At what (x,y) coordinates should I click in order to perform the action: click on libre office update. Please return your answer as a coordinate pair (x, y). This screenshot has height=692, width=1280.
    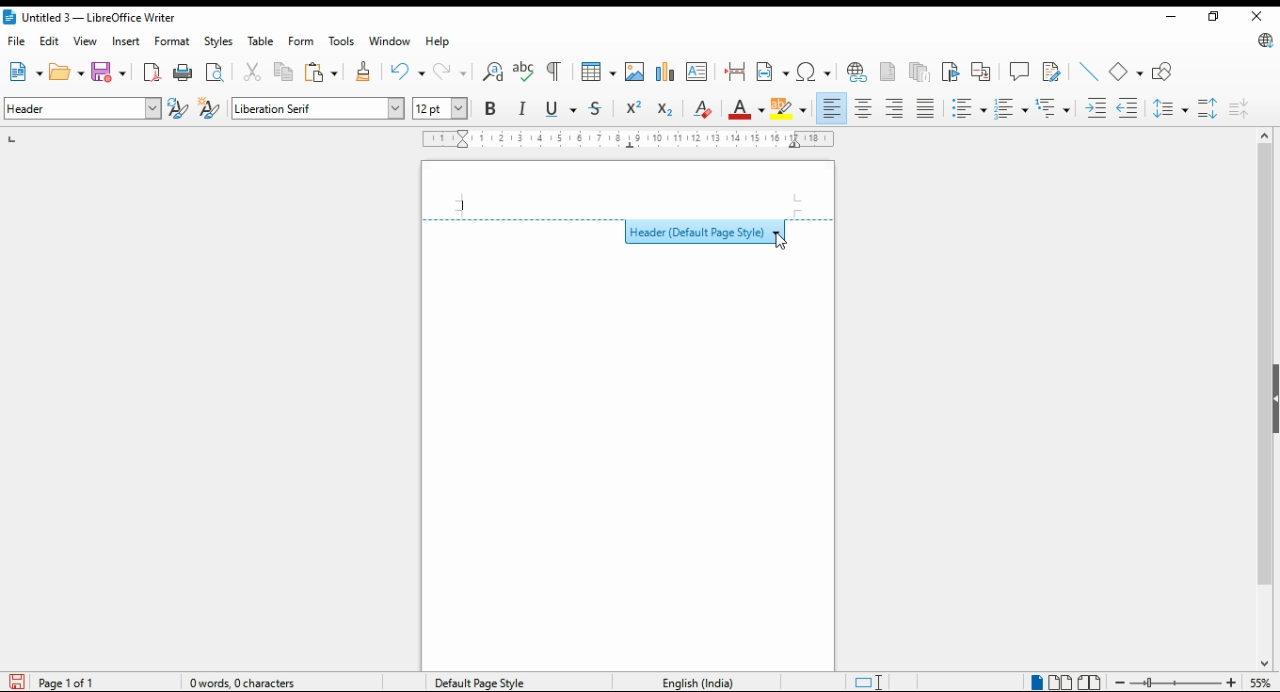
    Looking at the image, I should click on (1262, 42).